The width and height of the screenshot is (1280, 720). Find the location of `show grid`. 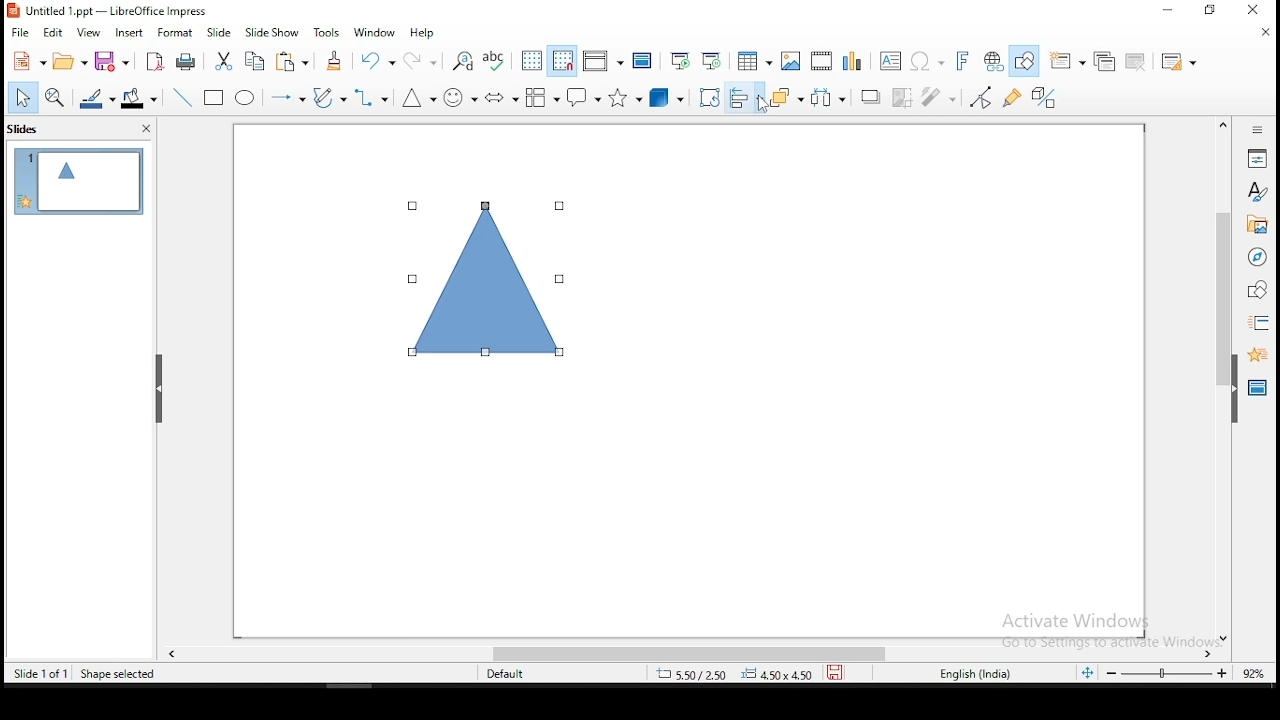

show grid is located at coordinates (531, 60).